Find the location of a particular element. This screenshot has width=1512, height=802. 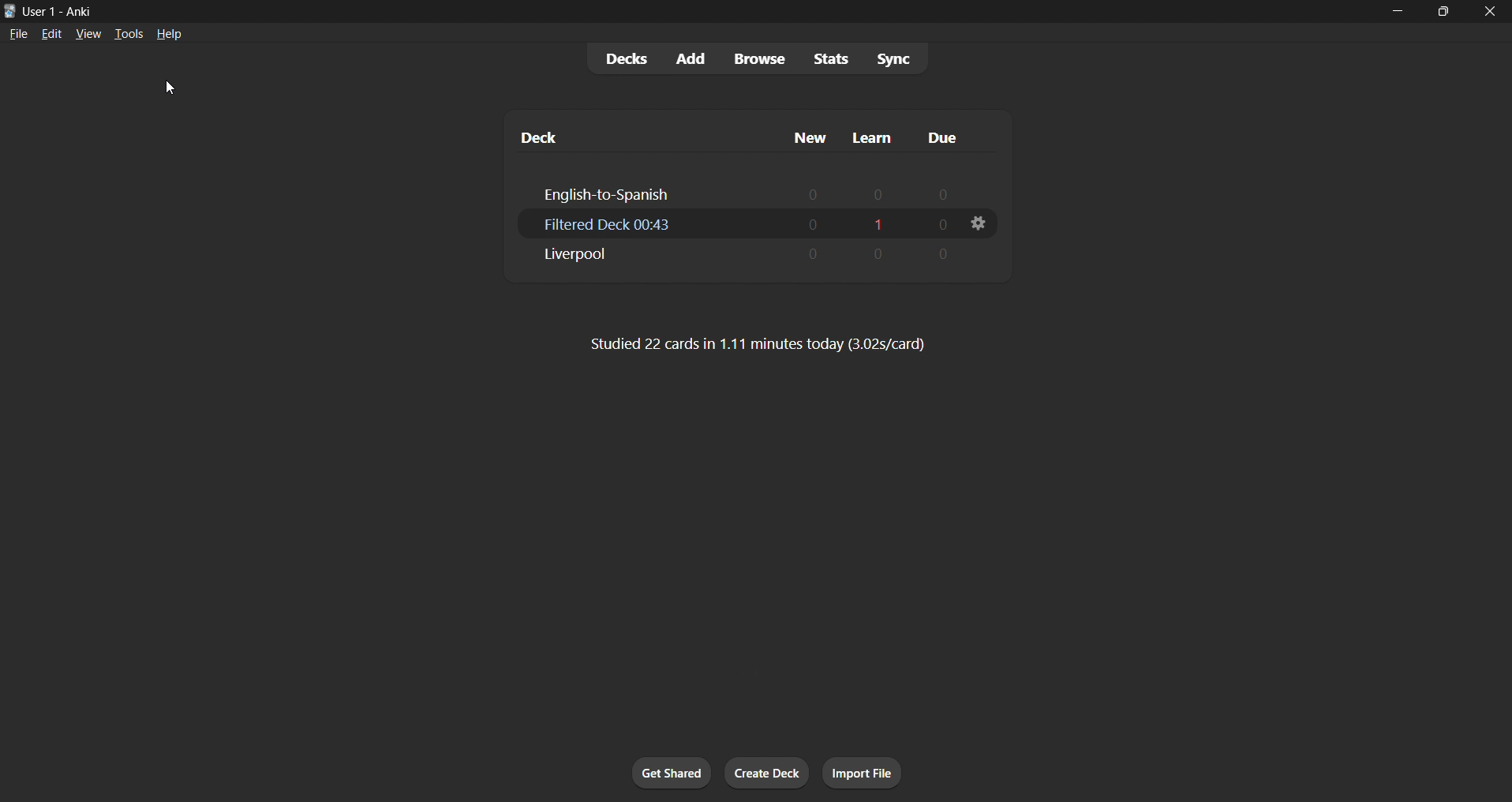

browse is located at coordinates (751, 58).